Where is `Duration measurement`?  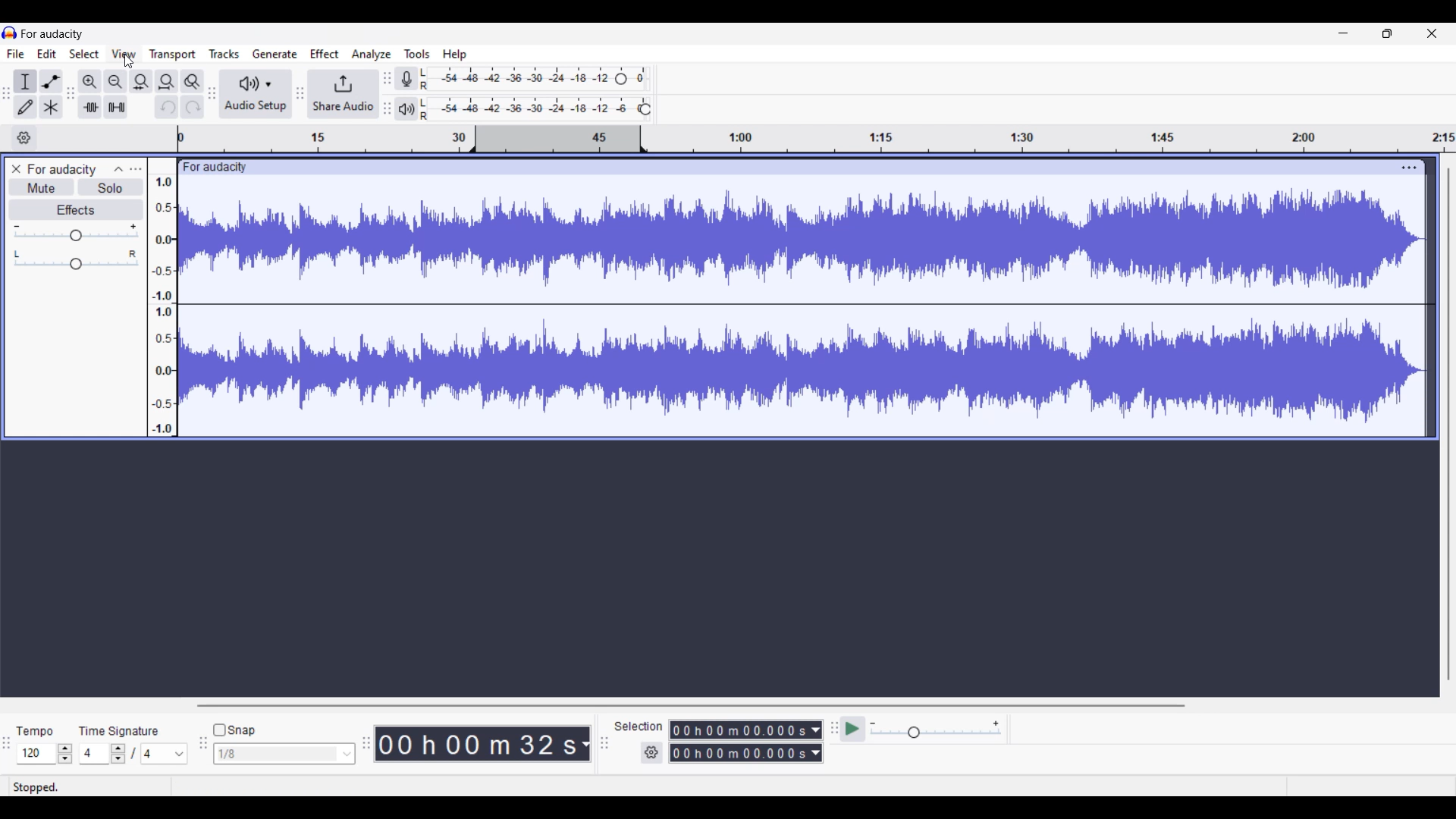 Duration measurement is located at coordinates (585, 743).